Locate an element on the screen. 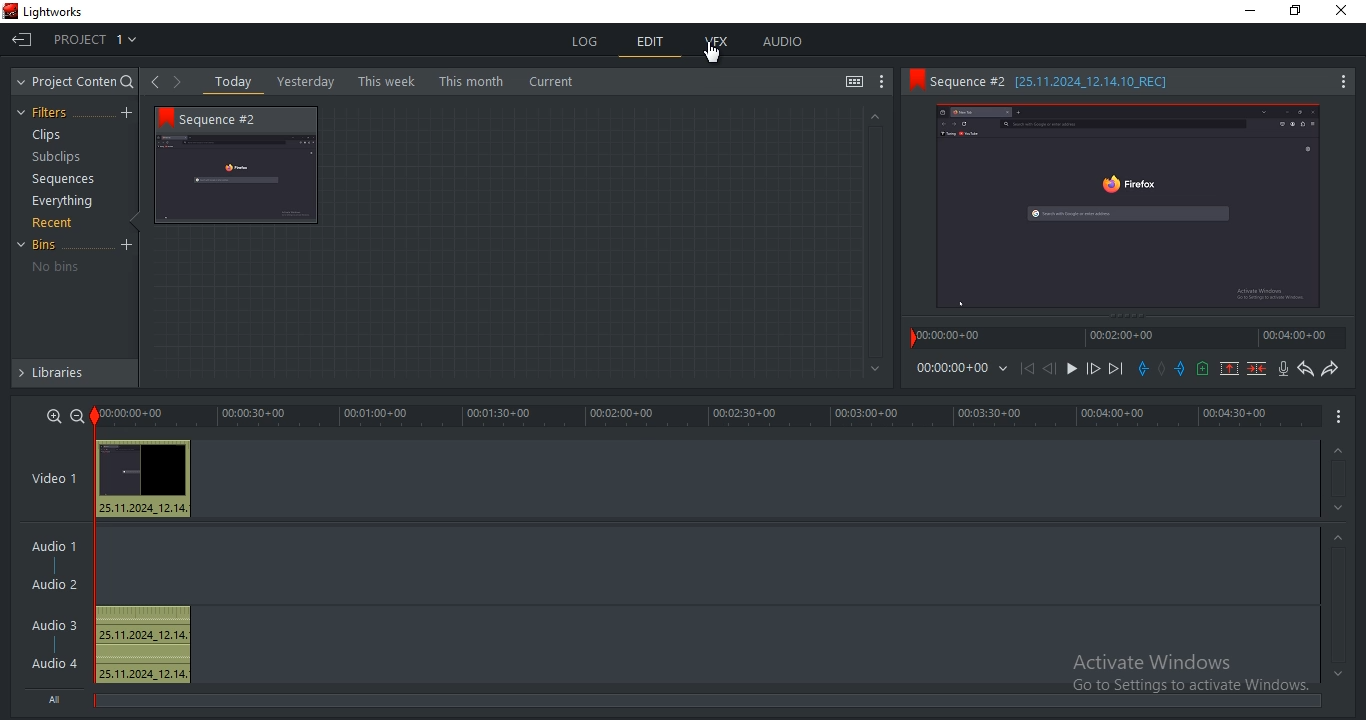 This screenshot has width=1366, height=720. Restore is located at coordinates (1301, 9).